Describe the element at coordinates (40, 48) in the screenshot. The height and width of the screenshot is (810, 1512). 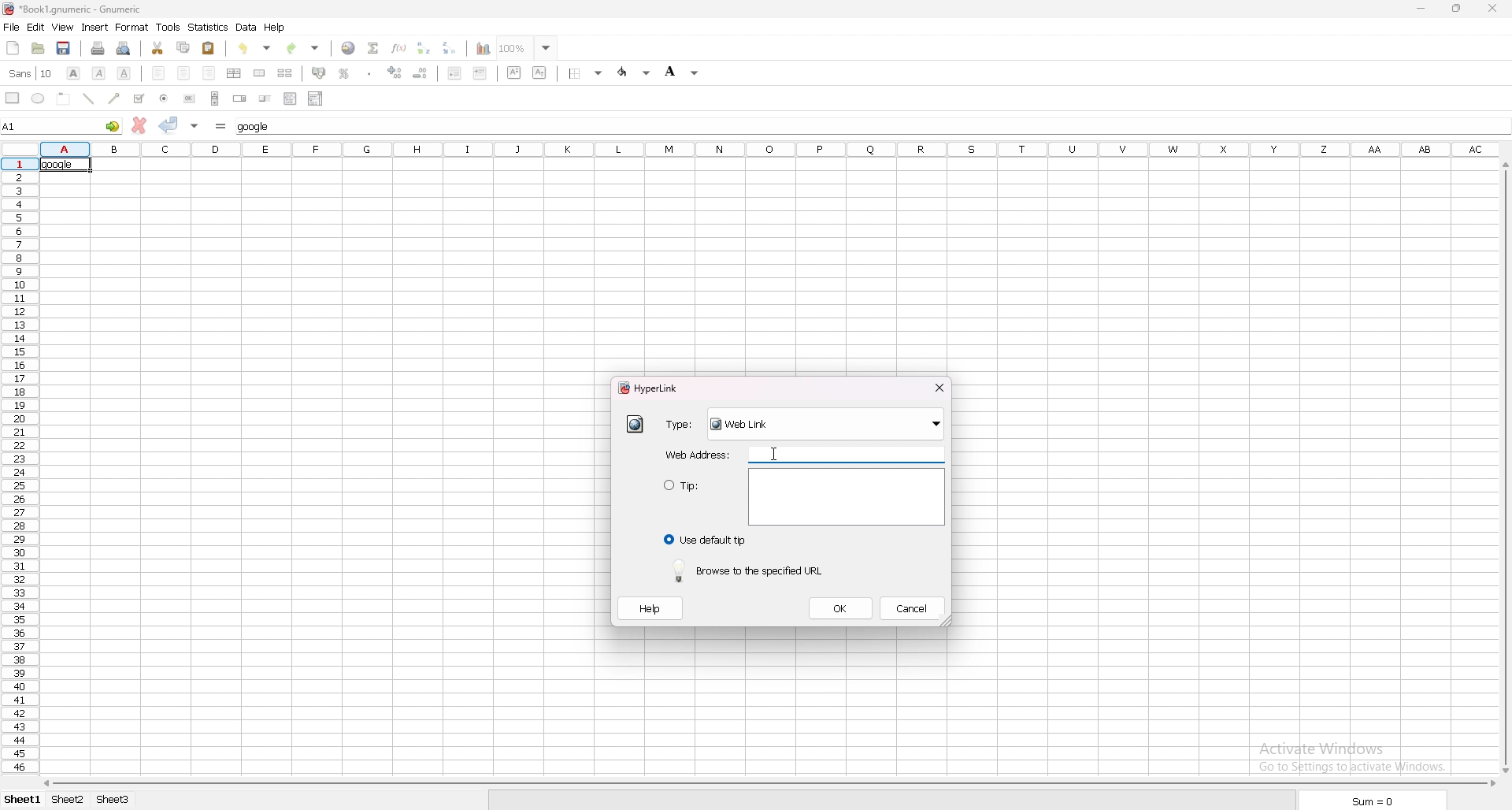
I see `open` at that location.